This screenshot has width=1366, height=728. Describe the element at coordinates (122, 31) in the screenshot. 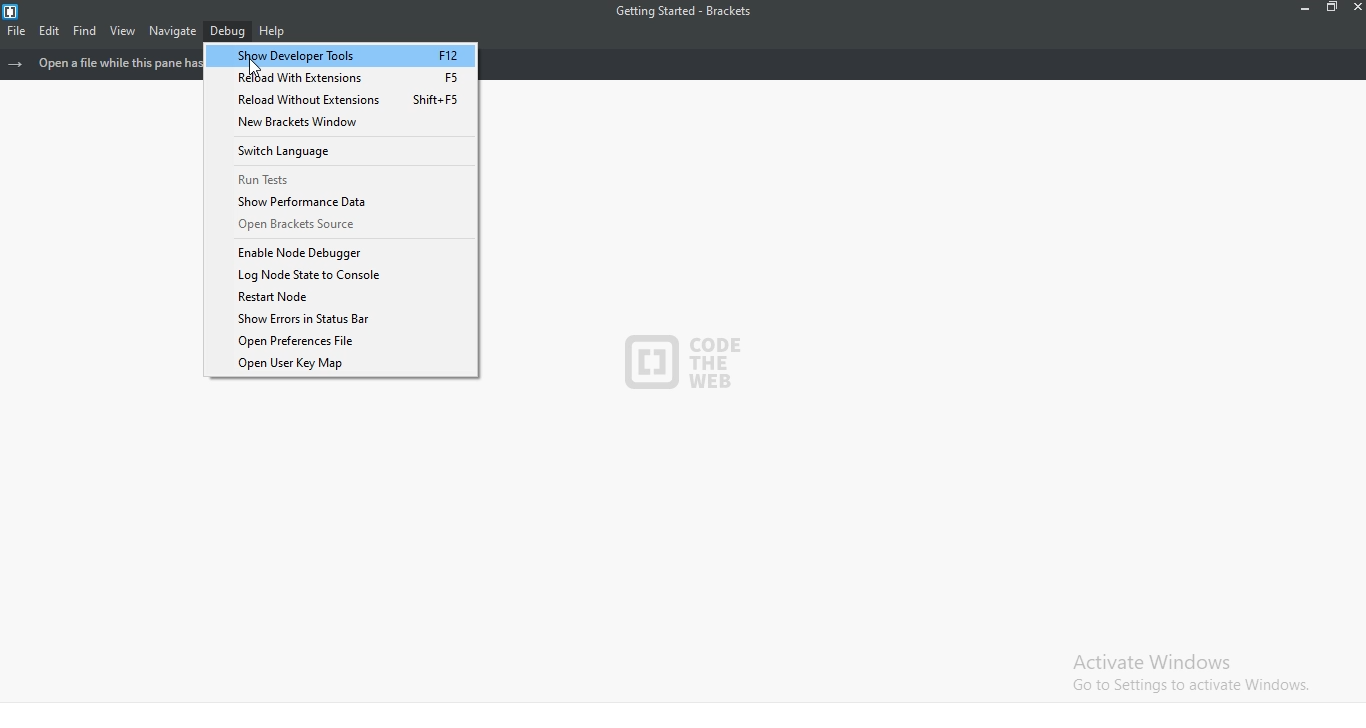

I see `view` at that location.